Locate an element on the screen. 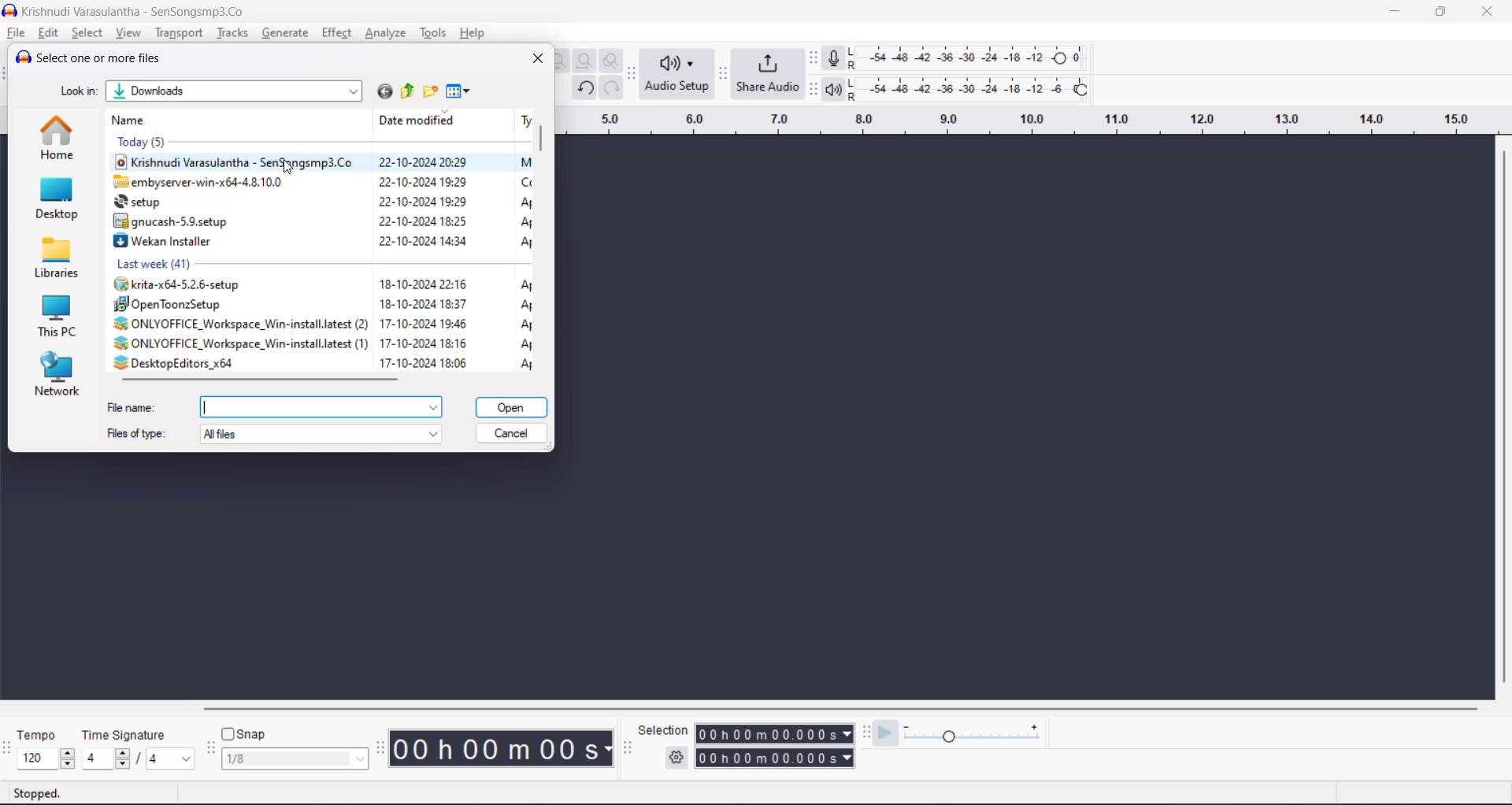  beats per measure is located at coordinates (138, 757).